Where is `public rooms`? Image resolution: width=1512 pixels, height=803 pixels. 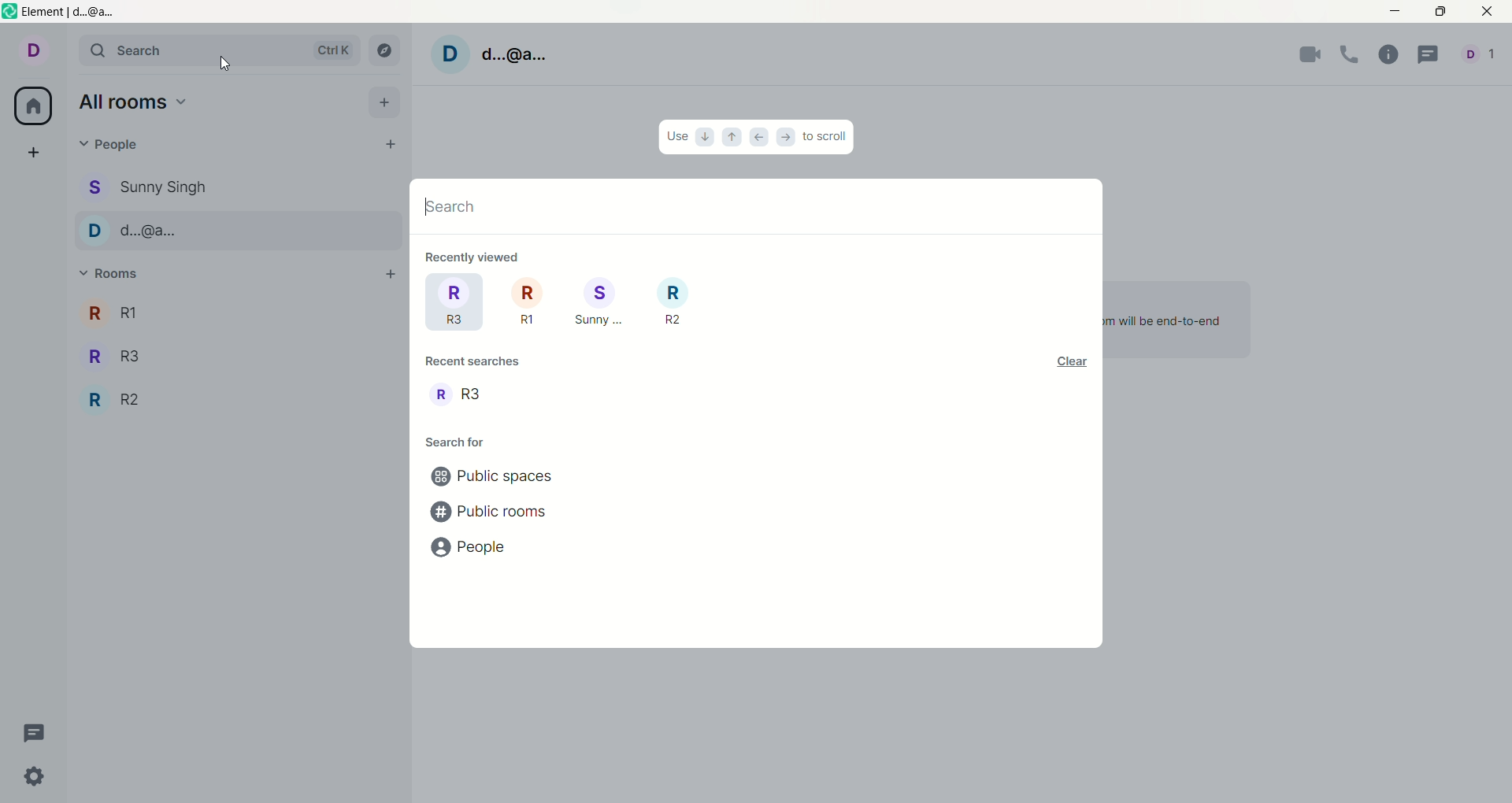 public rooms is located at coordinates (492, 513).